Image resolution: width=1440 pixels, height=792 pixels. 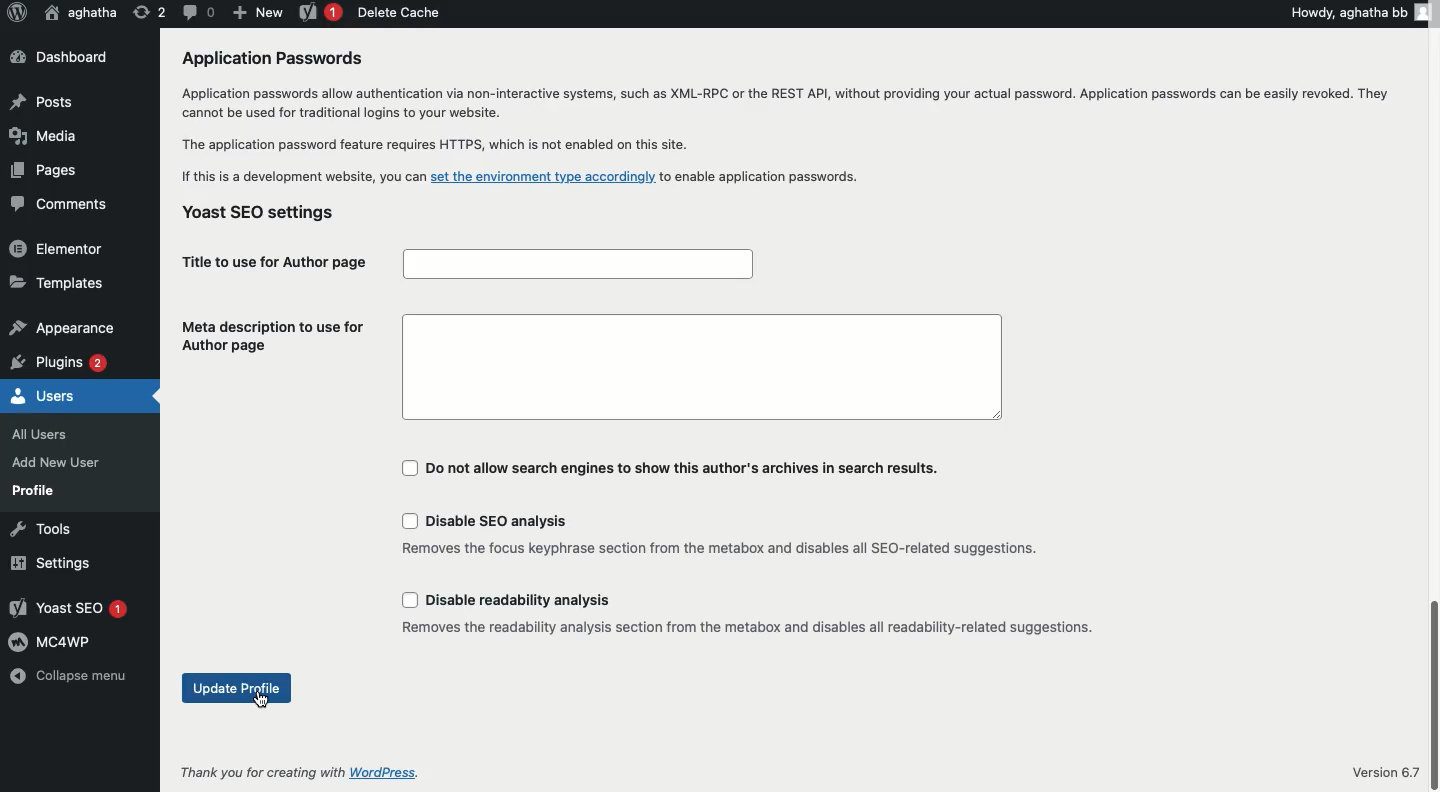 I want to click on | Title to use for Author page, so click(x=424, y=261).